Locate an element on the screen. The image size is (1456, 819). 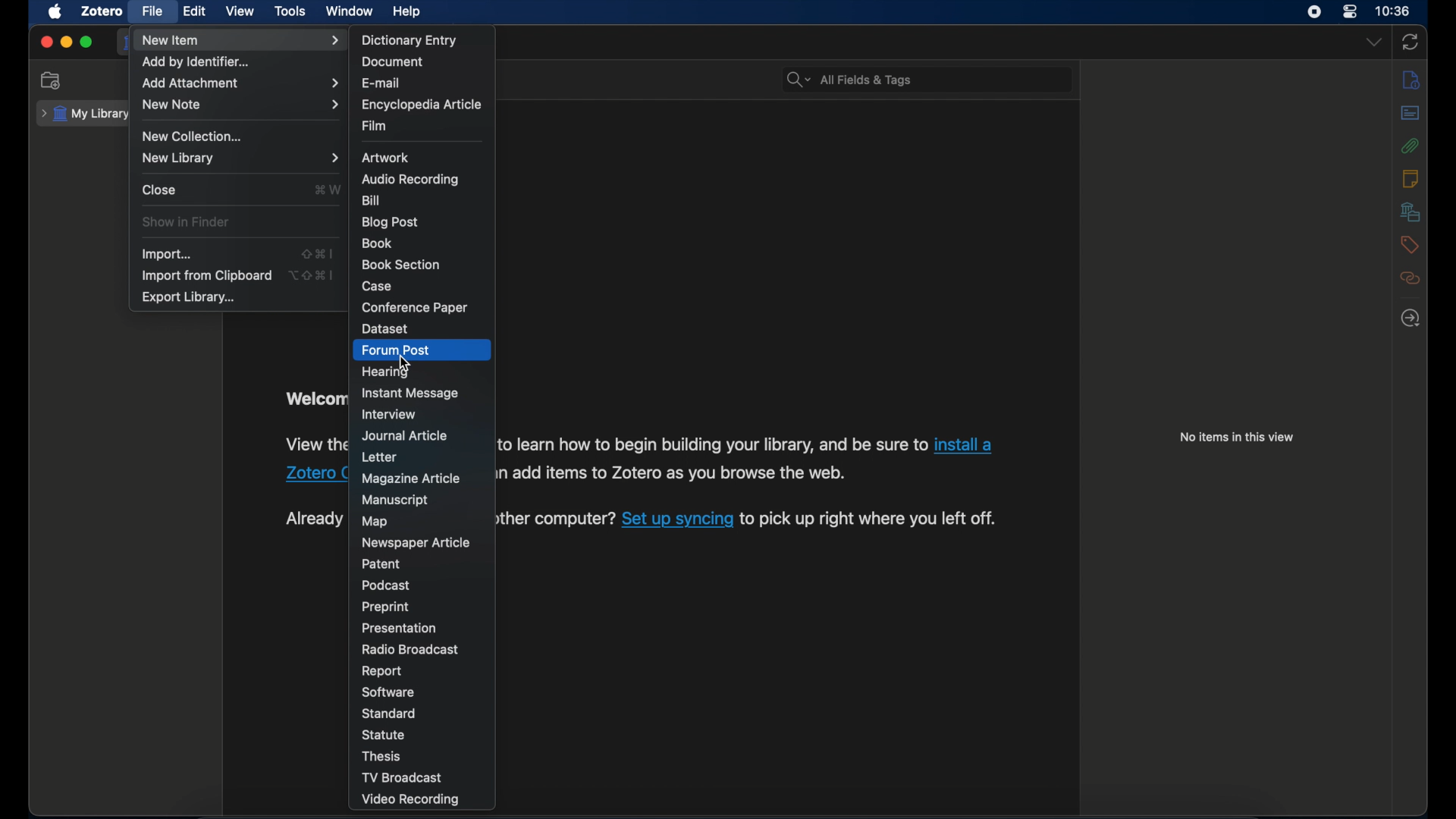
help is located at coordinates (409, 12).